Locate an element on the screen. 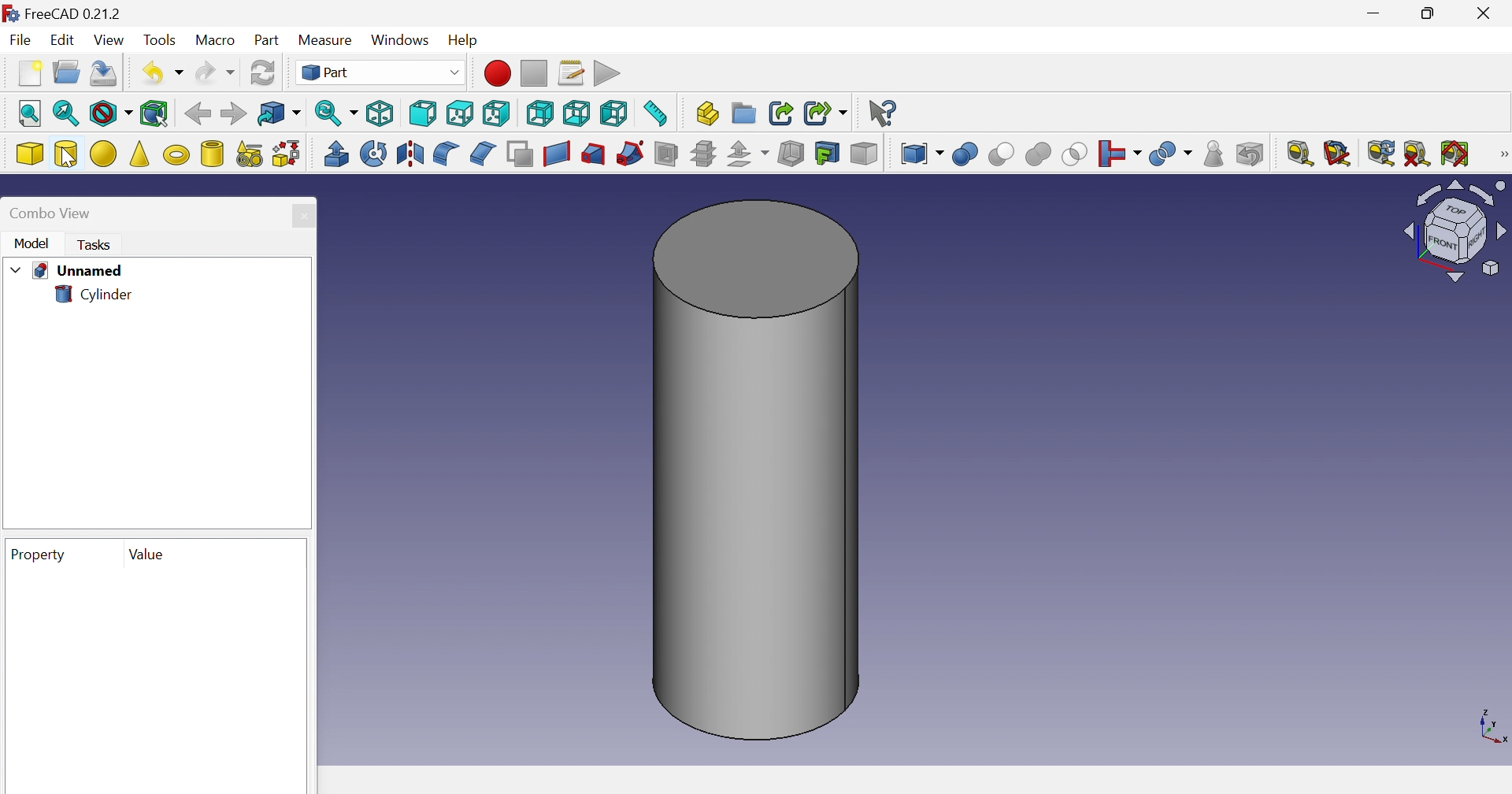  Macro is located at coordinates (216, 40).